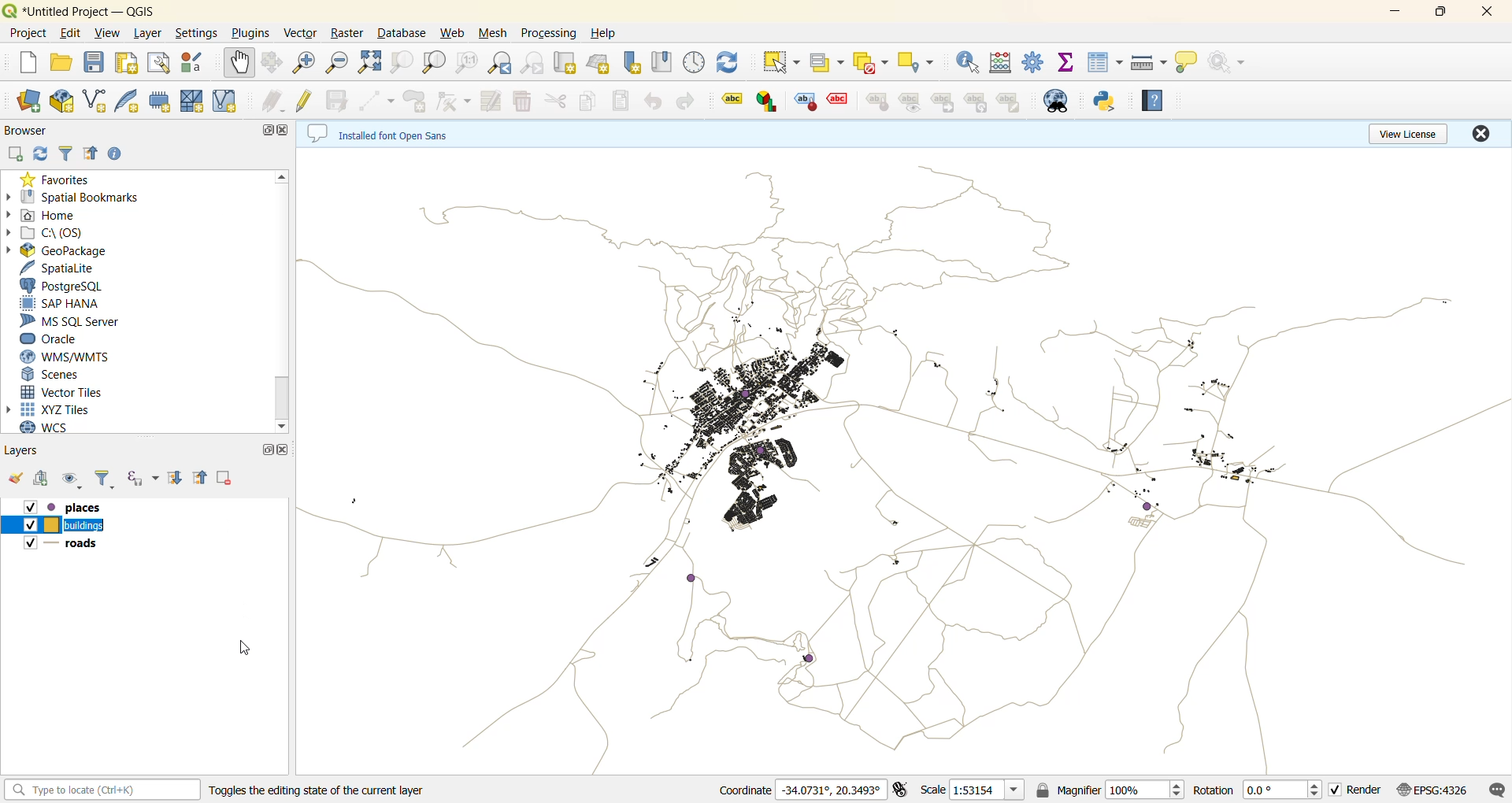 This screenshot has height=803, width=1512. Describe the element at coordinates (681, 101) in the screenshot. I see `redo` at that location.